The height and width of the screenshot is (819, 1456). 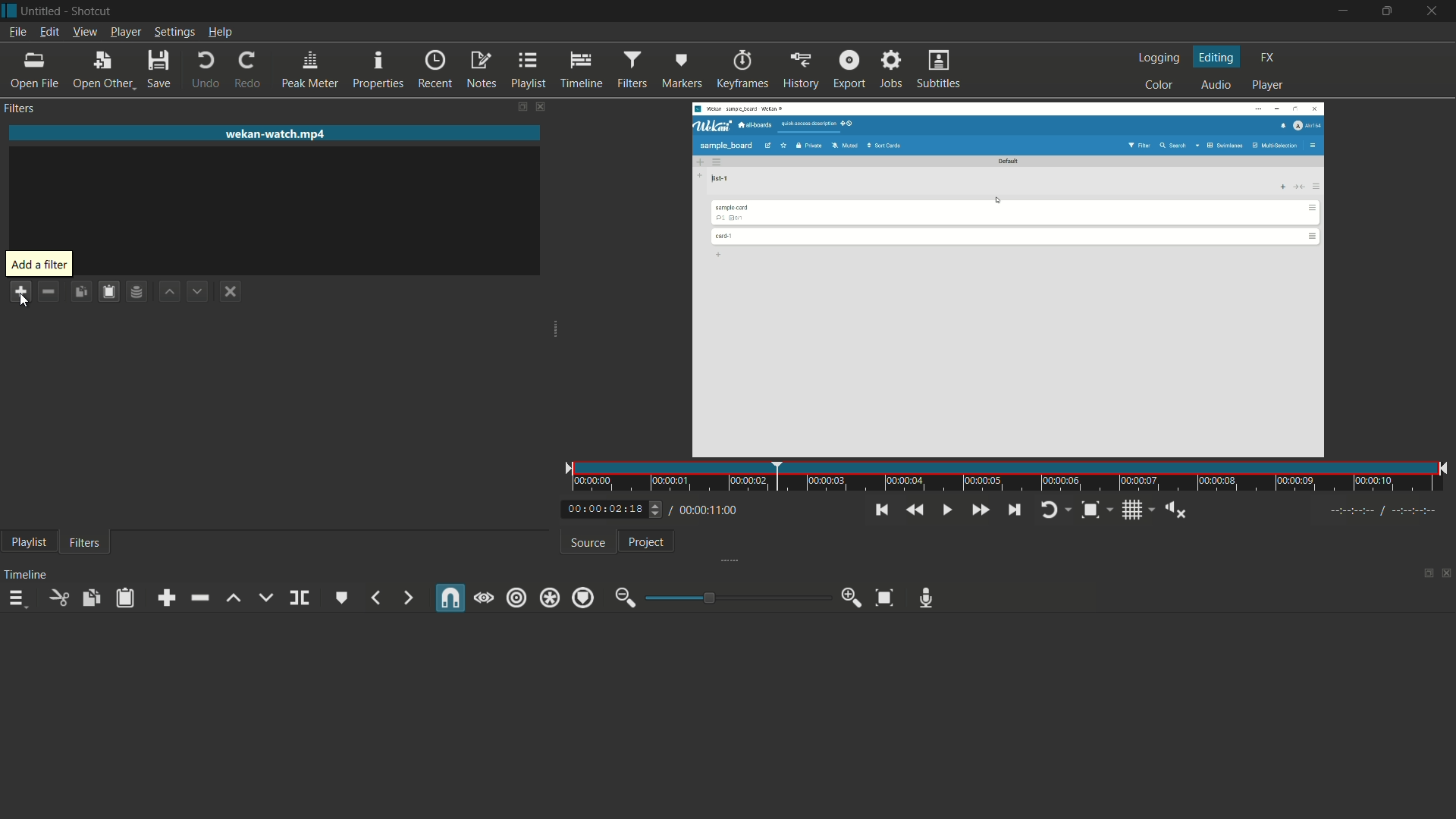 I want to click on In point, so click(x=1385, y=512).